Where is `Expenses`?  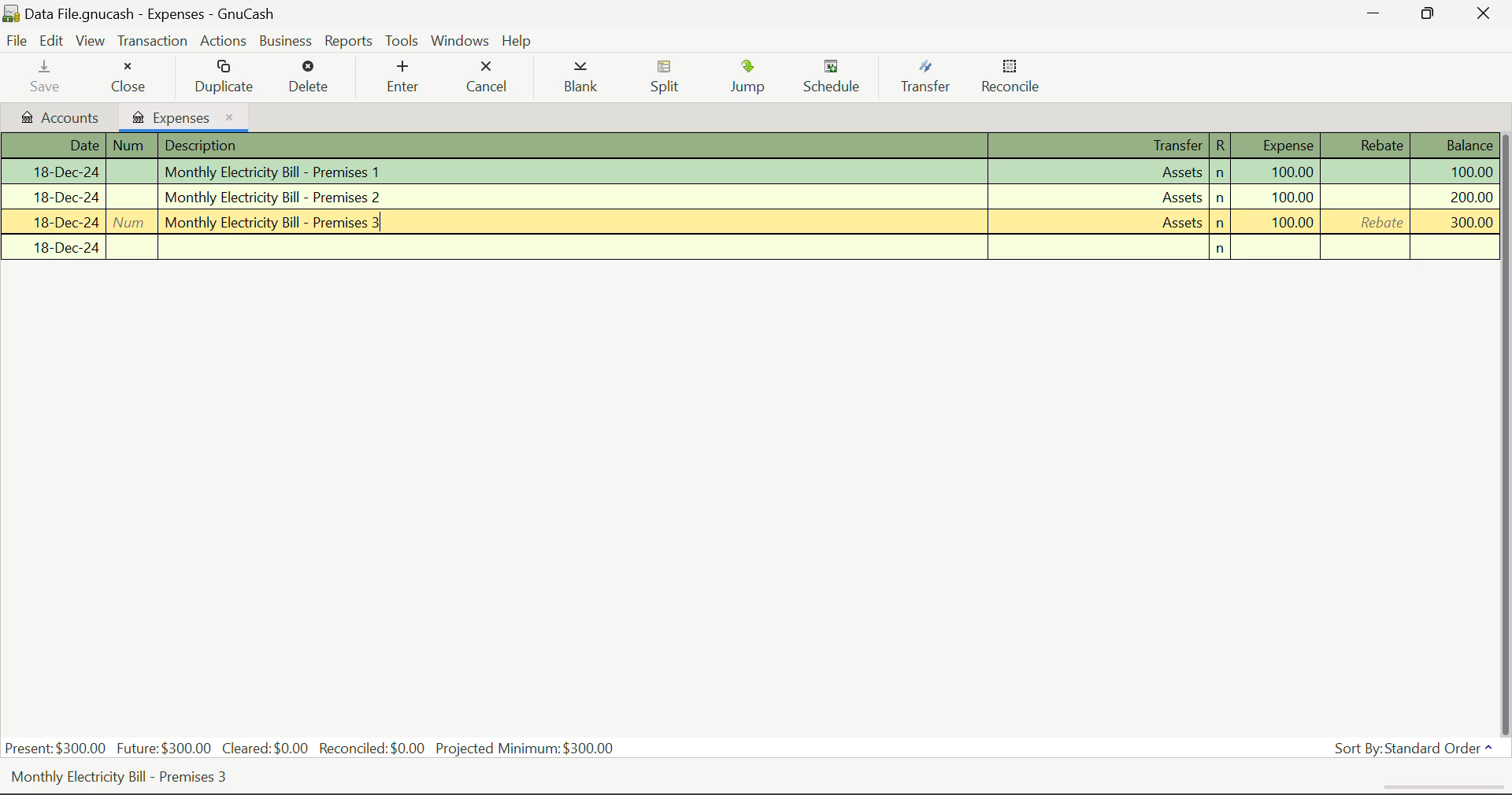
Expenses is located at coordinates (183, 115).